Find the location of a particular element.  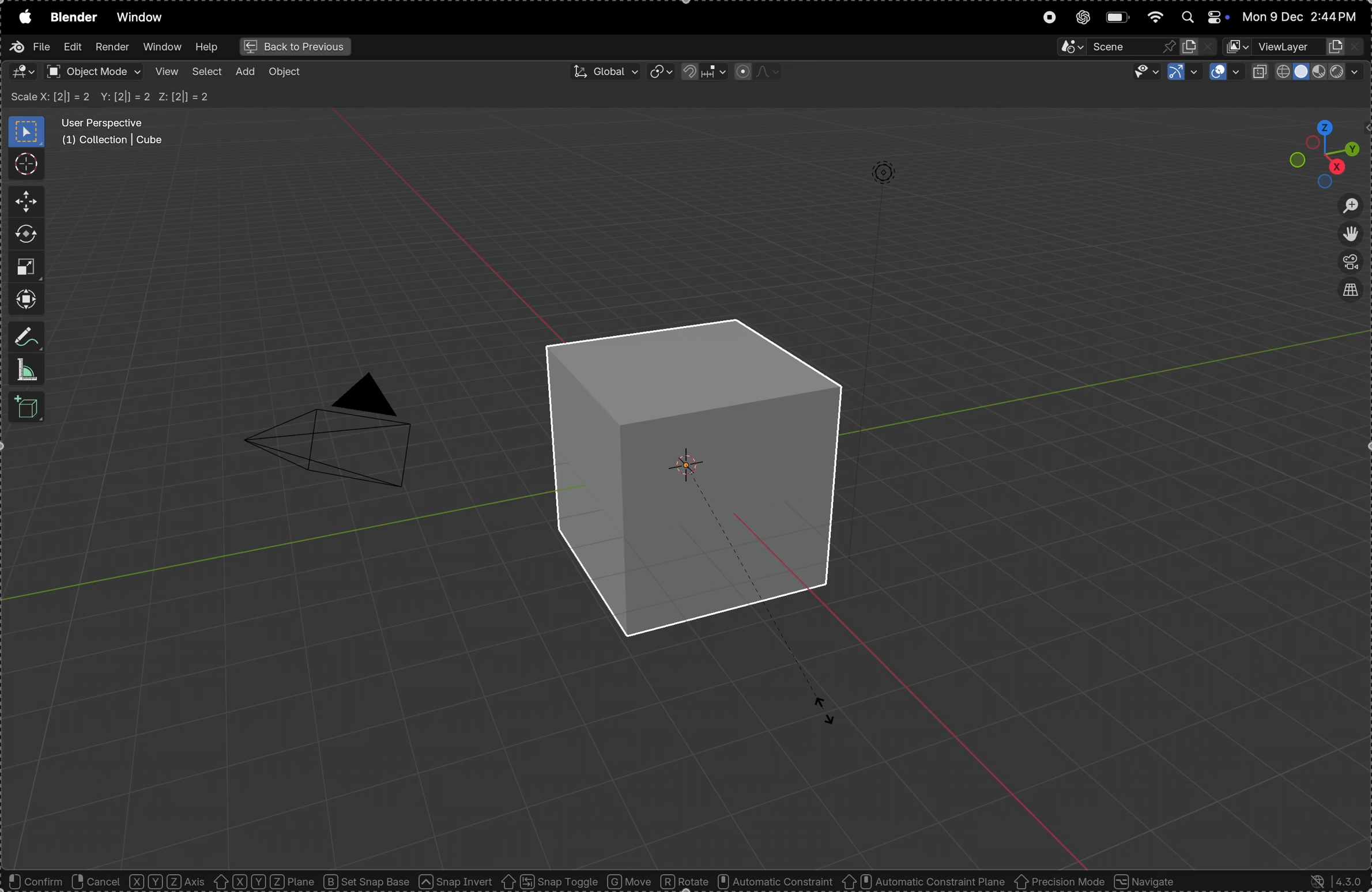

options is located at coordinates (1331, 96).